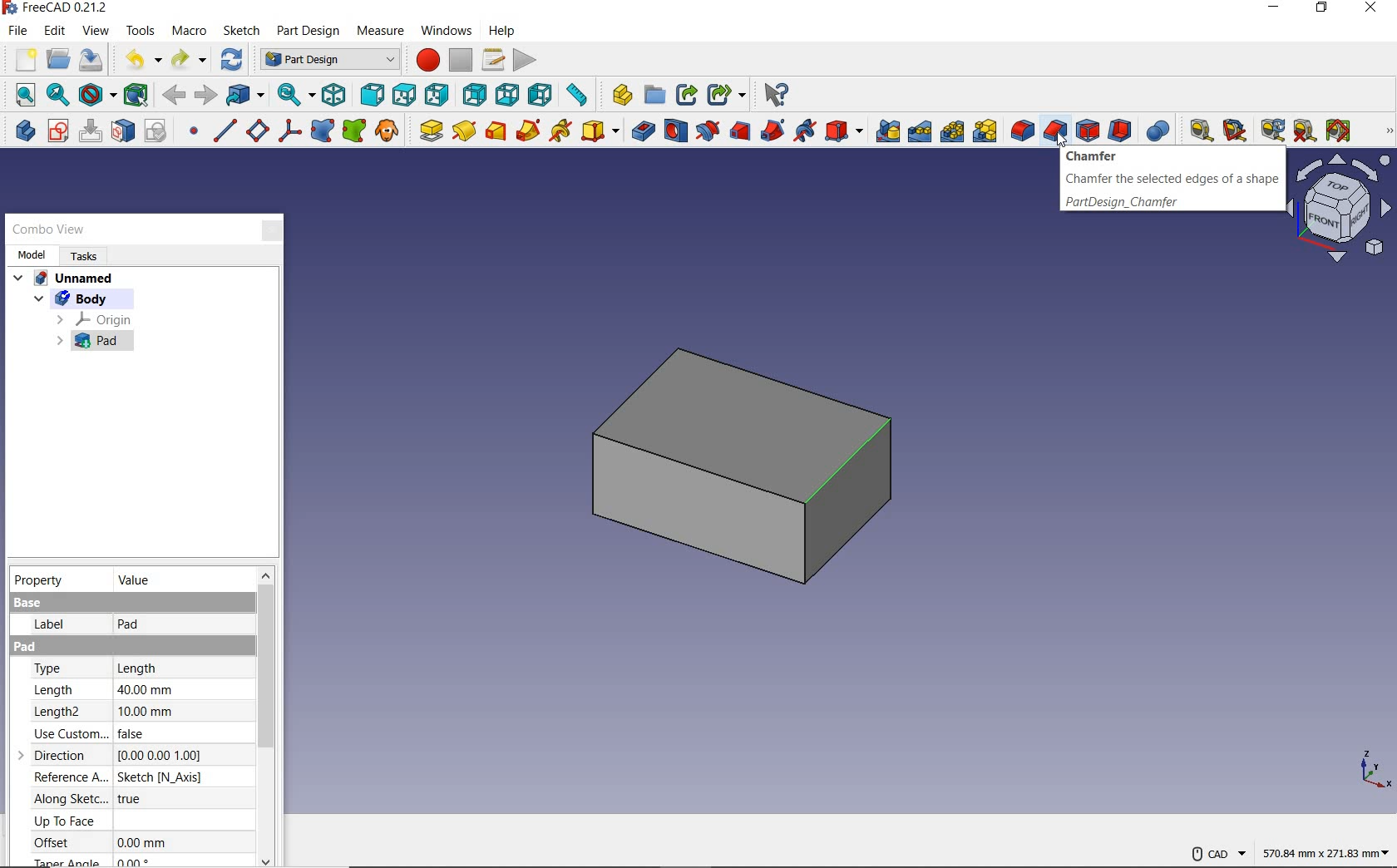 This screenshot has width=1397, height=868. I want to click on subtractive helix, so click(807, 131).